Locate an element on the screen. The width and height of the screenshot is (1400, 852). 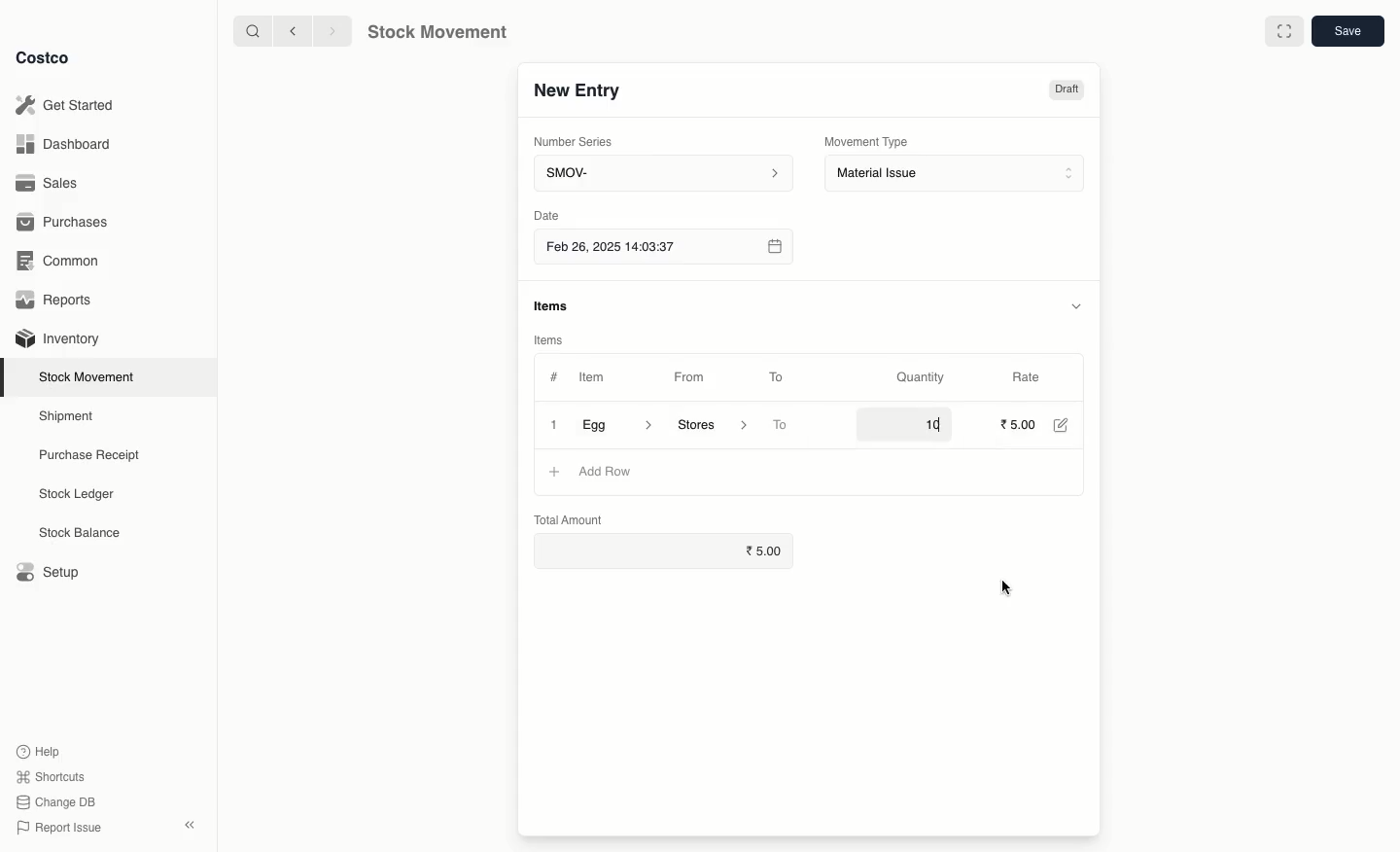
Shortcuts is located at coordinates (51, 774).